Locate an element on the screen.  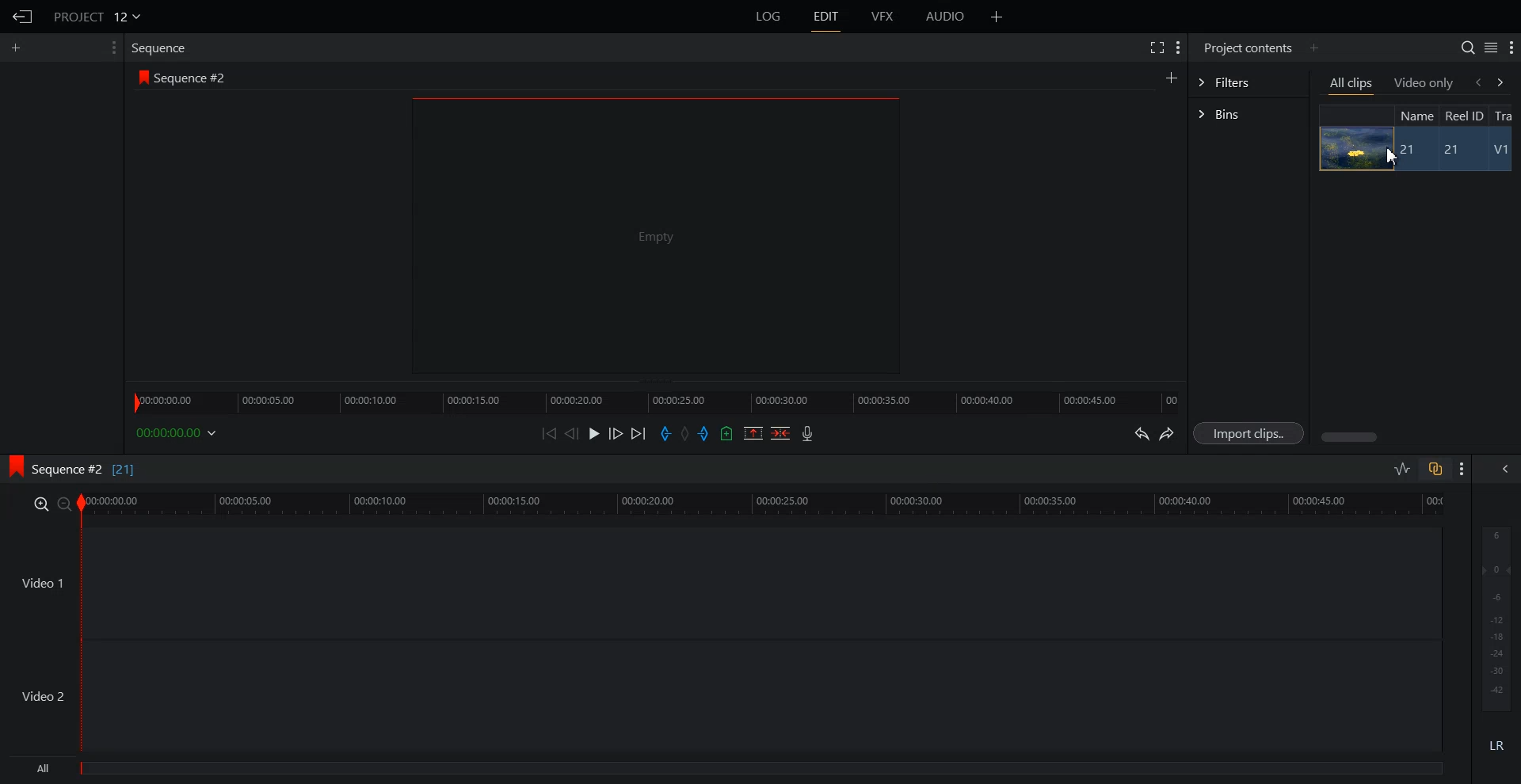
Redo is located at coordinates (1168, 434).